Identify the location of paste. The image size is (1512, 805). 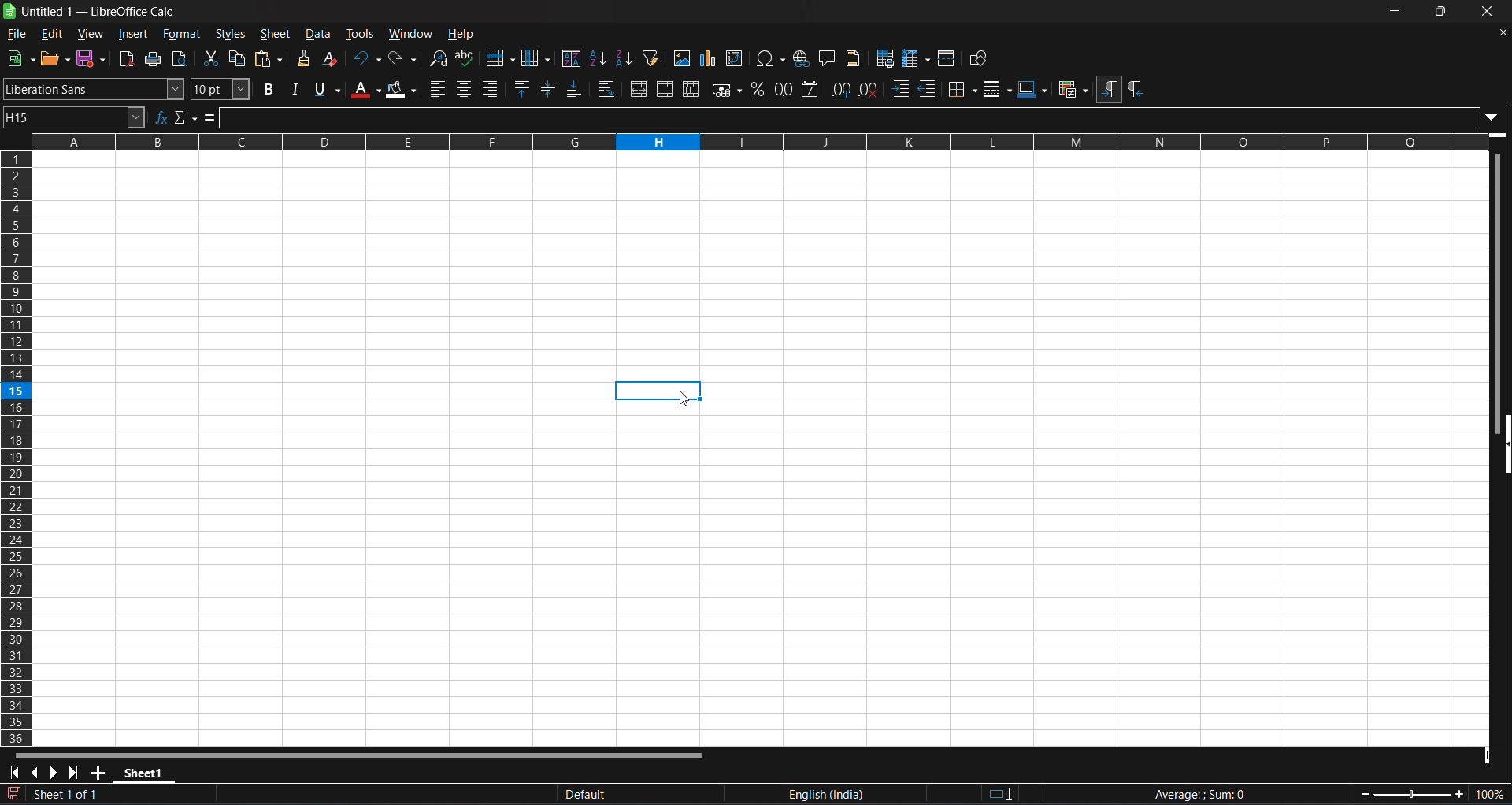
(269, 58).